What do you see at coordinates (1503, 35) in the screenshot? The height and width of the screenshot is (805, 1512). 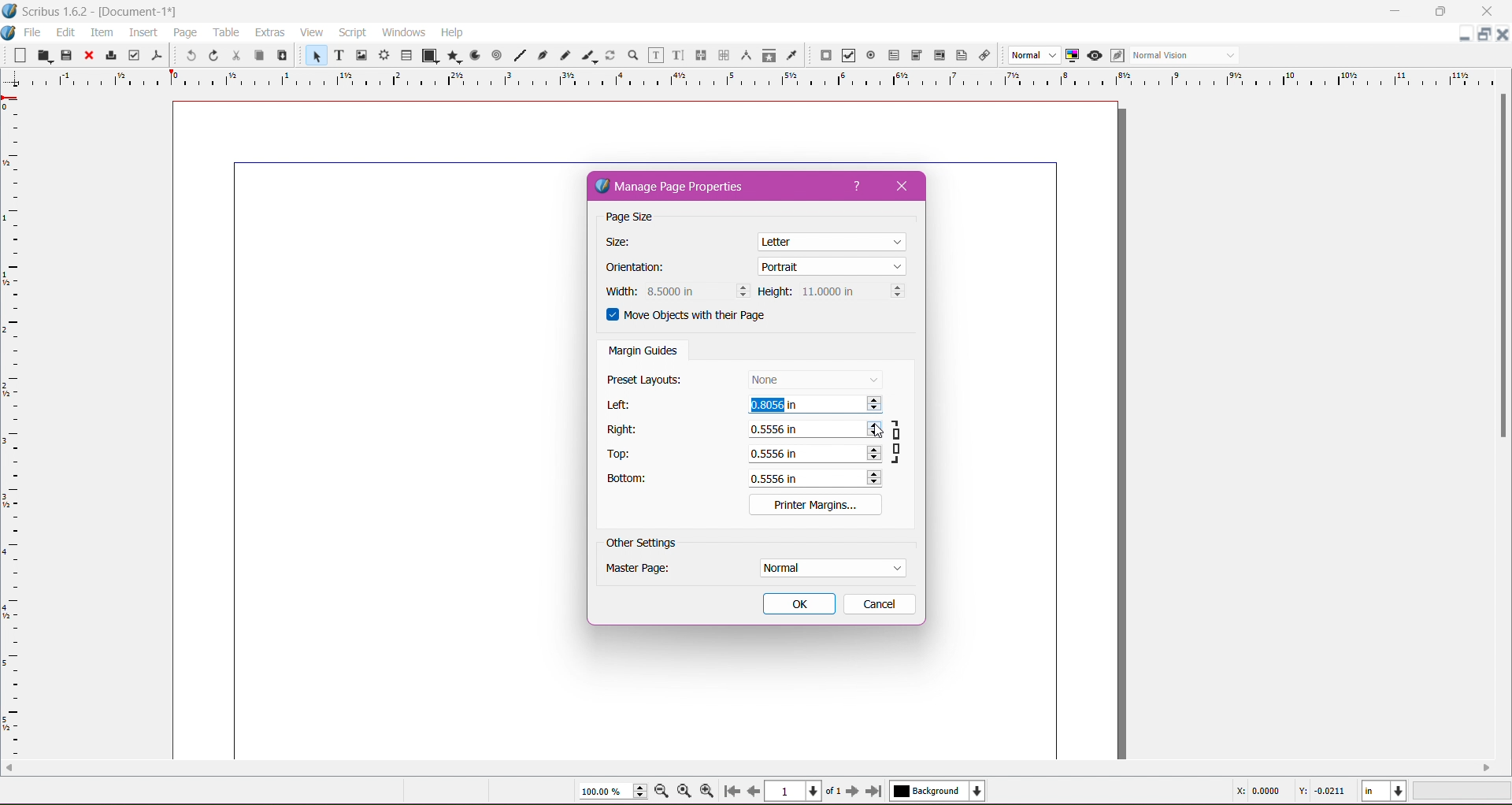 I see `Close Document` at bounding box center [1503, 35].